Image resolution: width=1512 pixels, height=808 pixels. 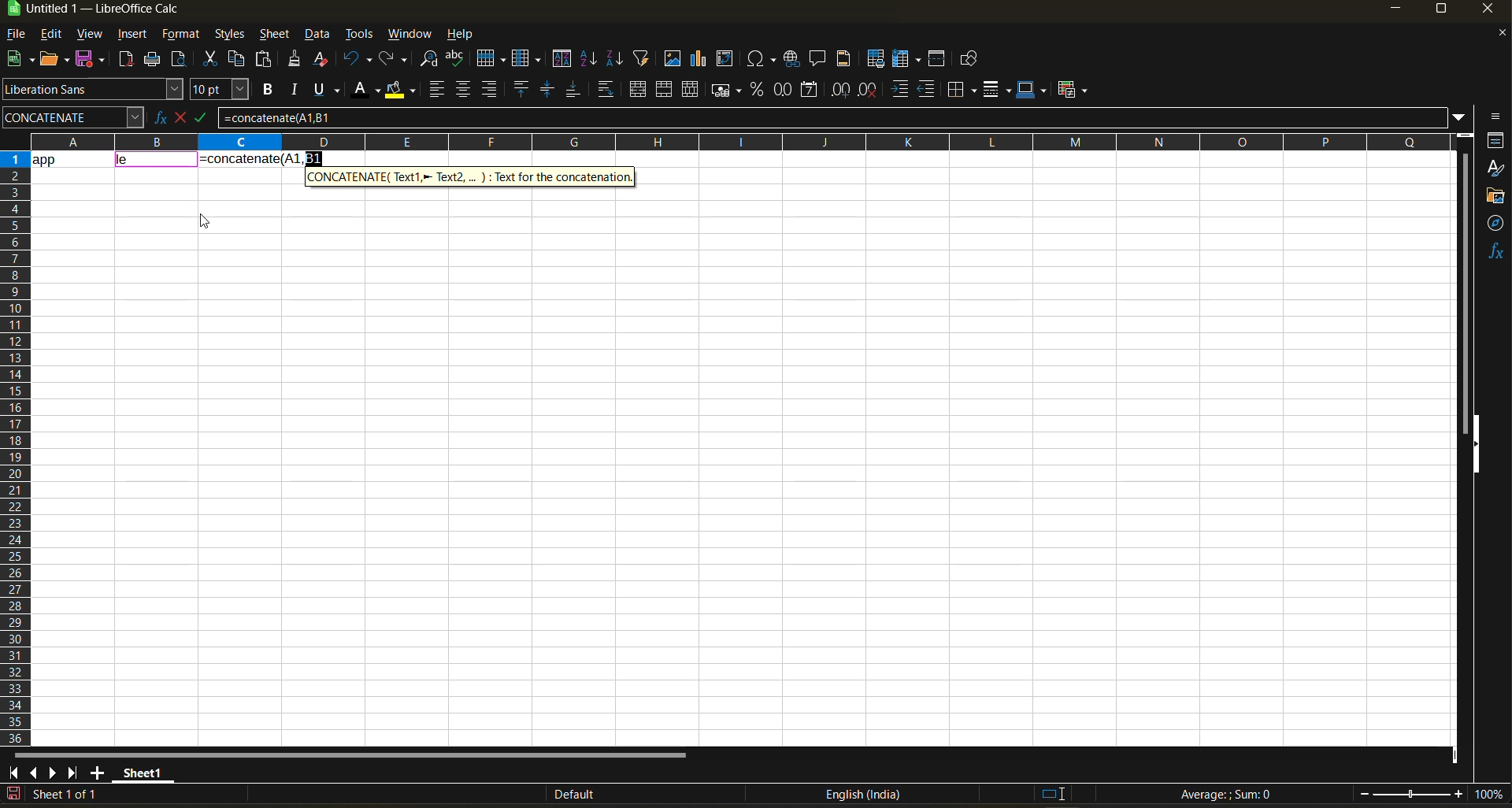 I want to click on unmerge cells, so click(x=692, y=90).